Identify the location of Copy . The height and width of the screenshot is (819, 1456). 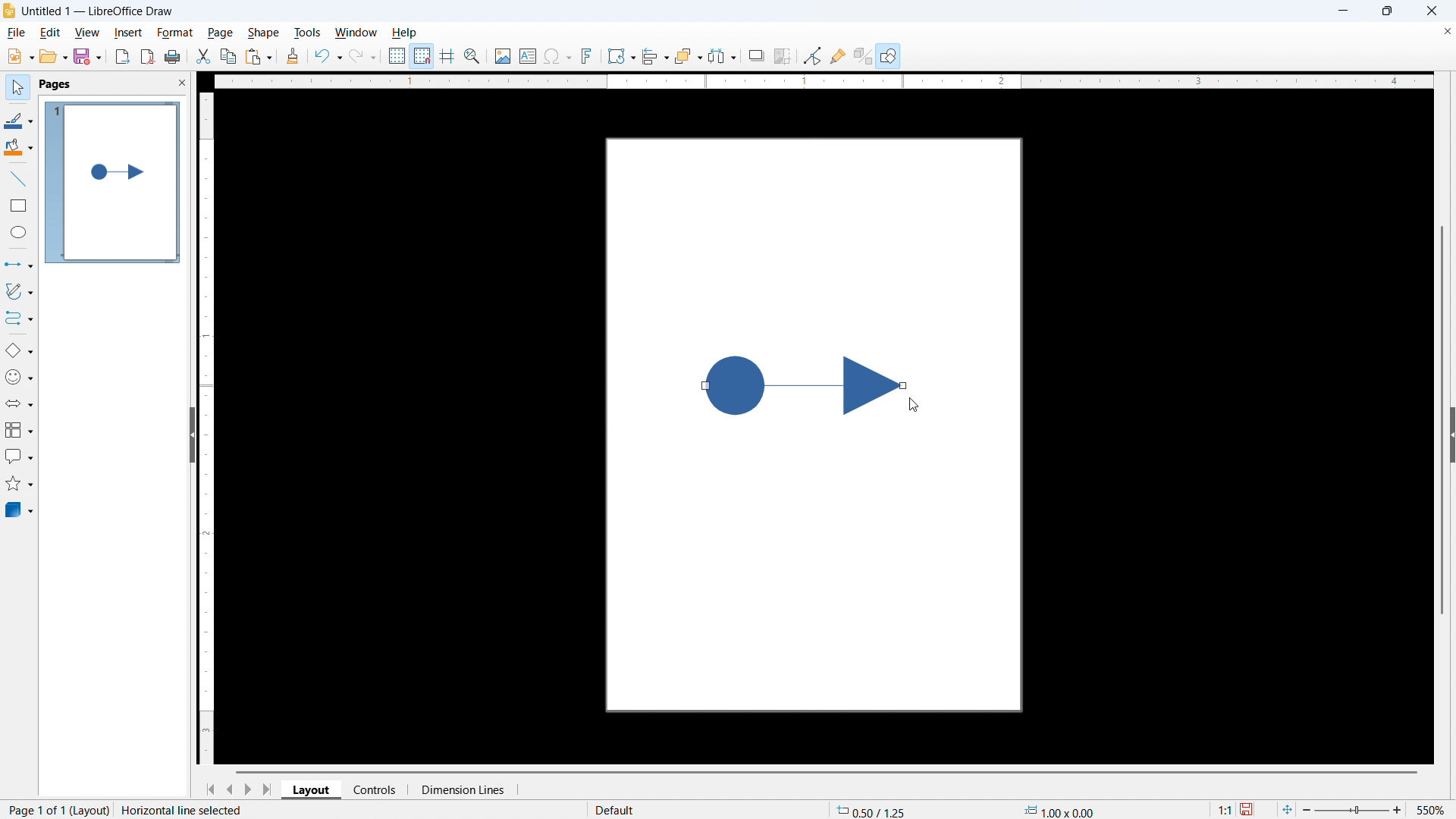
(229, 56).